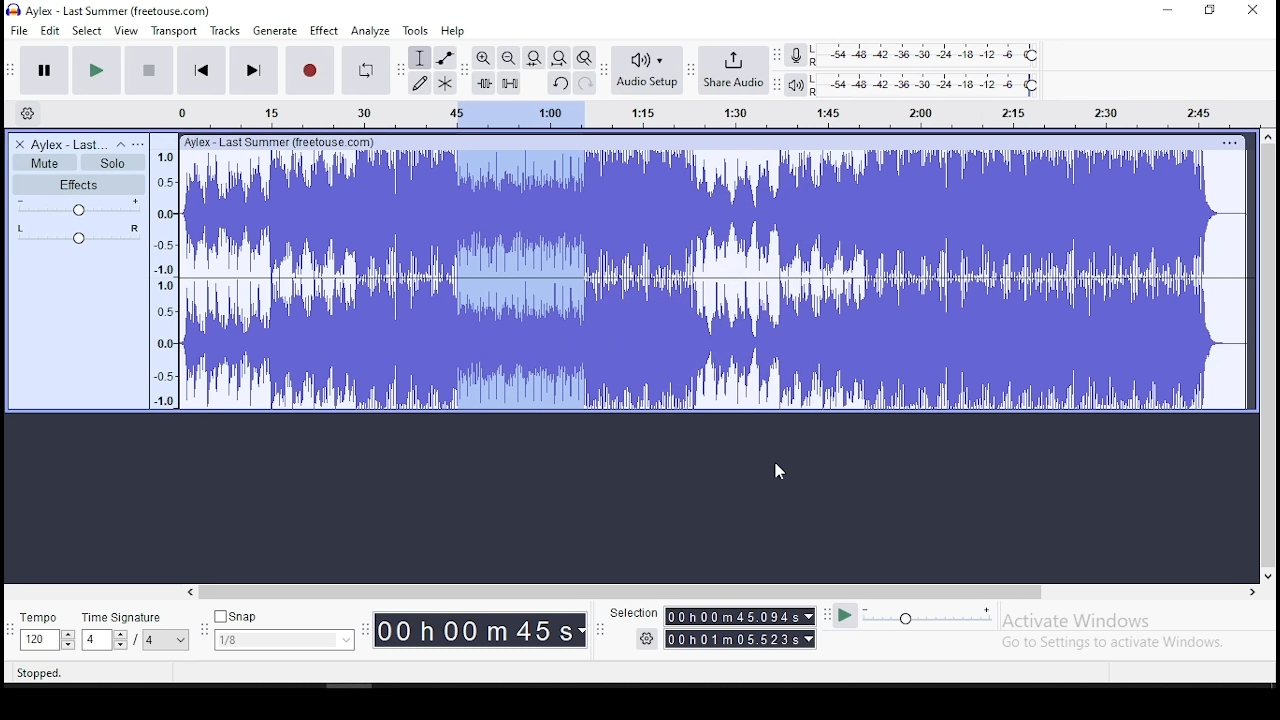  I want to click on selection tool, so click(420, 57).